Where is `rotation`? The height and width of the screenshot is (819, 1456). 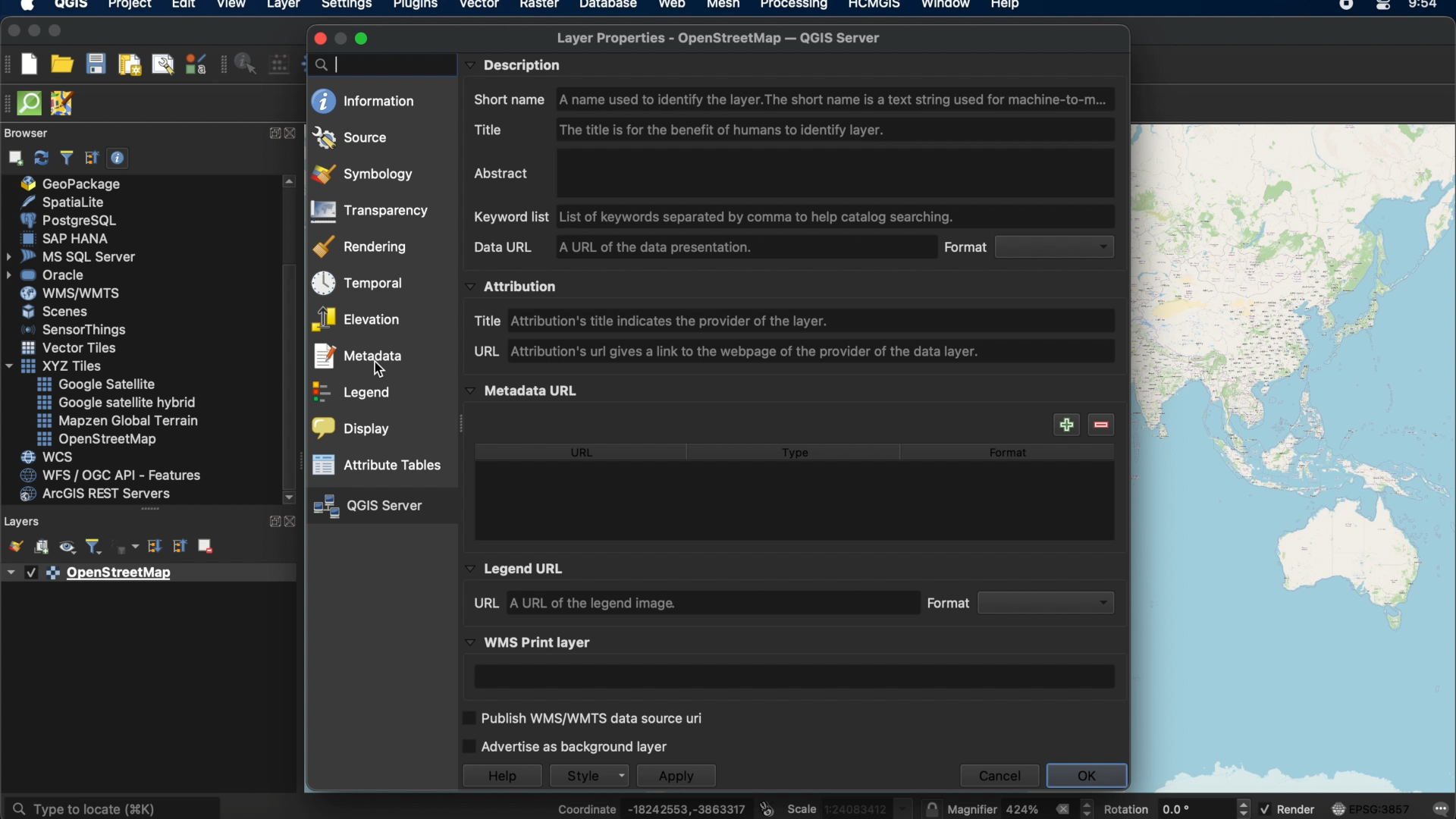
rotation is located at coordinates (1176, 805).